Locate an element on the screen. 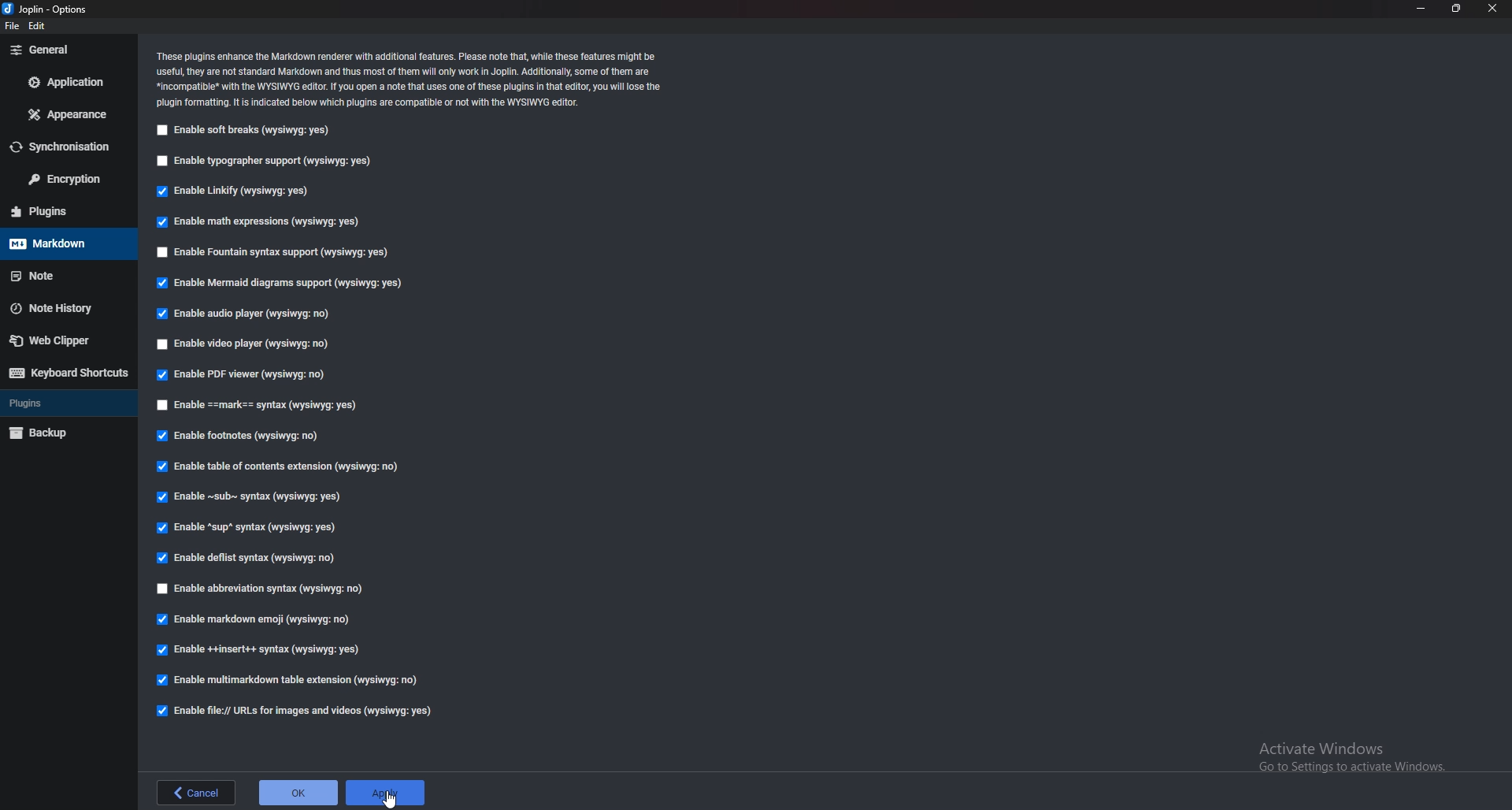 This screenshot has height=810, width=1512. Encryption is located at coordinates (61, 179).